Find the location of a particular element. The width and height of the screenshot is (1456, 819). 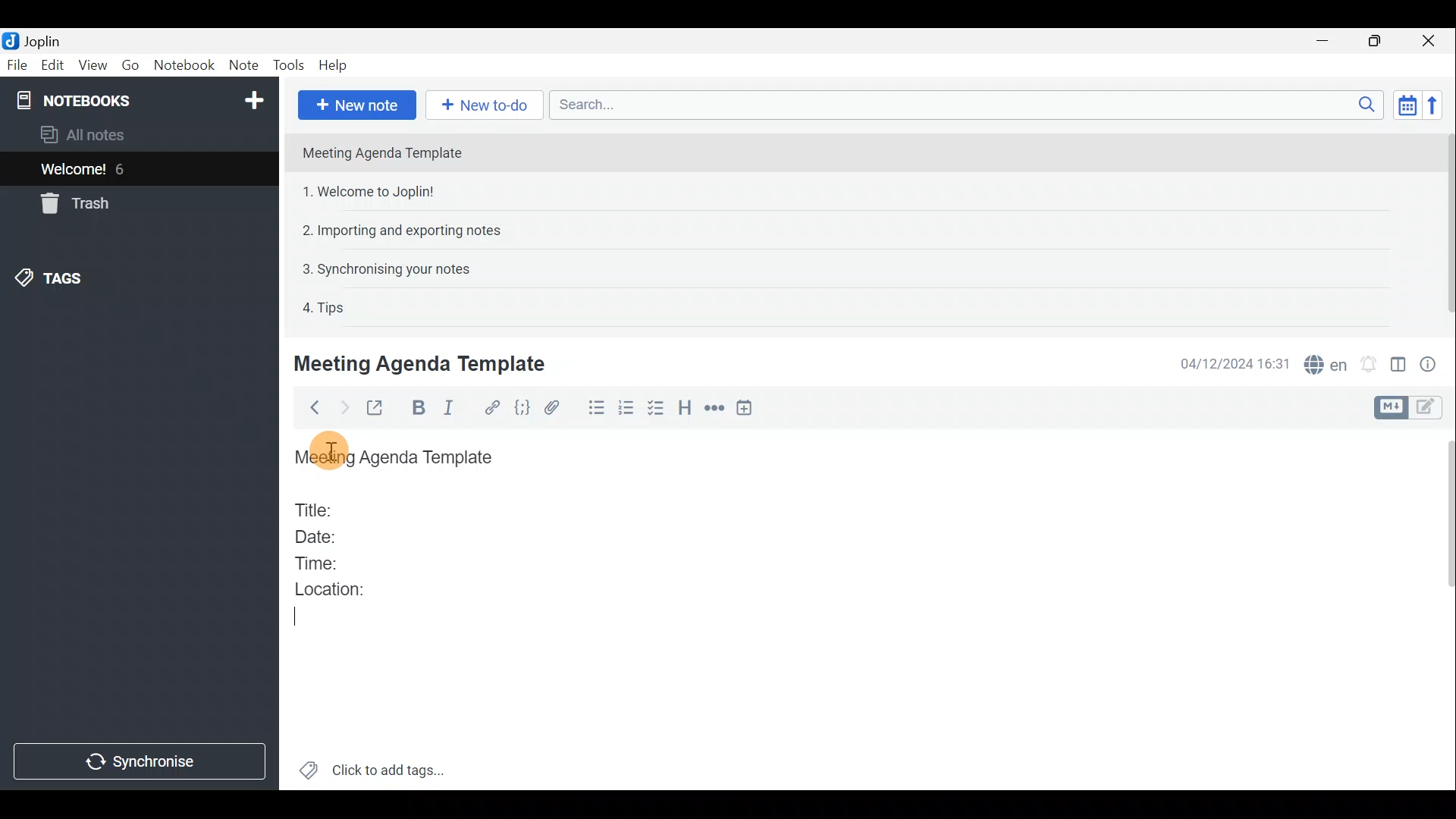

Bulleted list is located at coordinates (595, 408).